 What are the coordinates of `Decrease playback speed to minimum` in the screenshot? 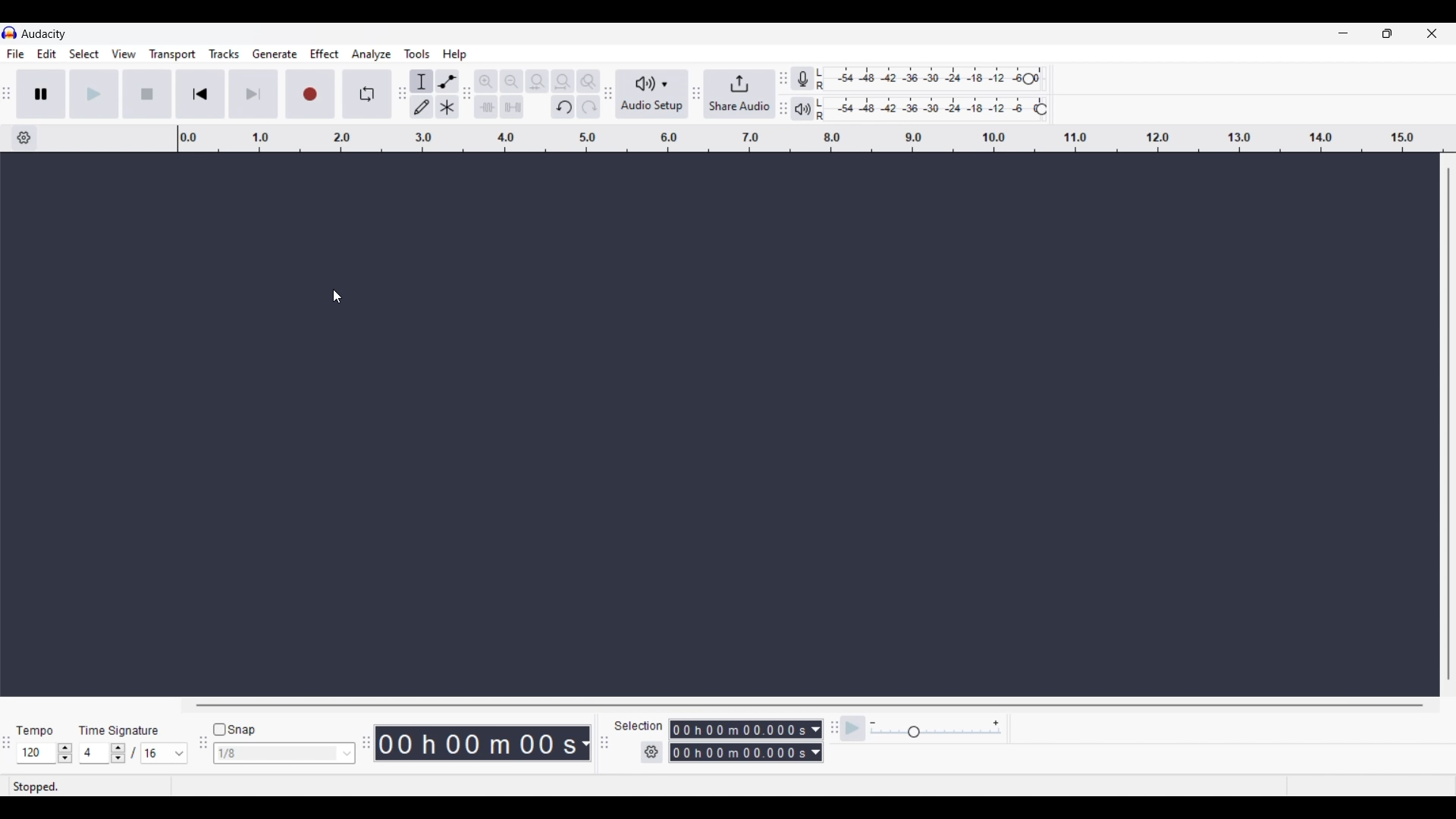 It's located at (873, 723).